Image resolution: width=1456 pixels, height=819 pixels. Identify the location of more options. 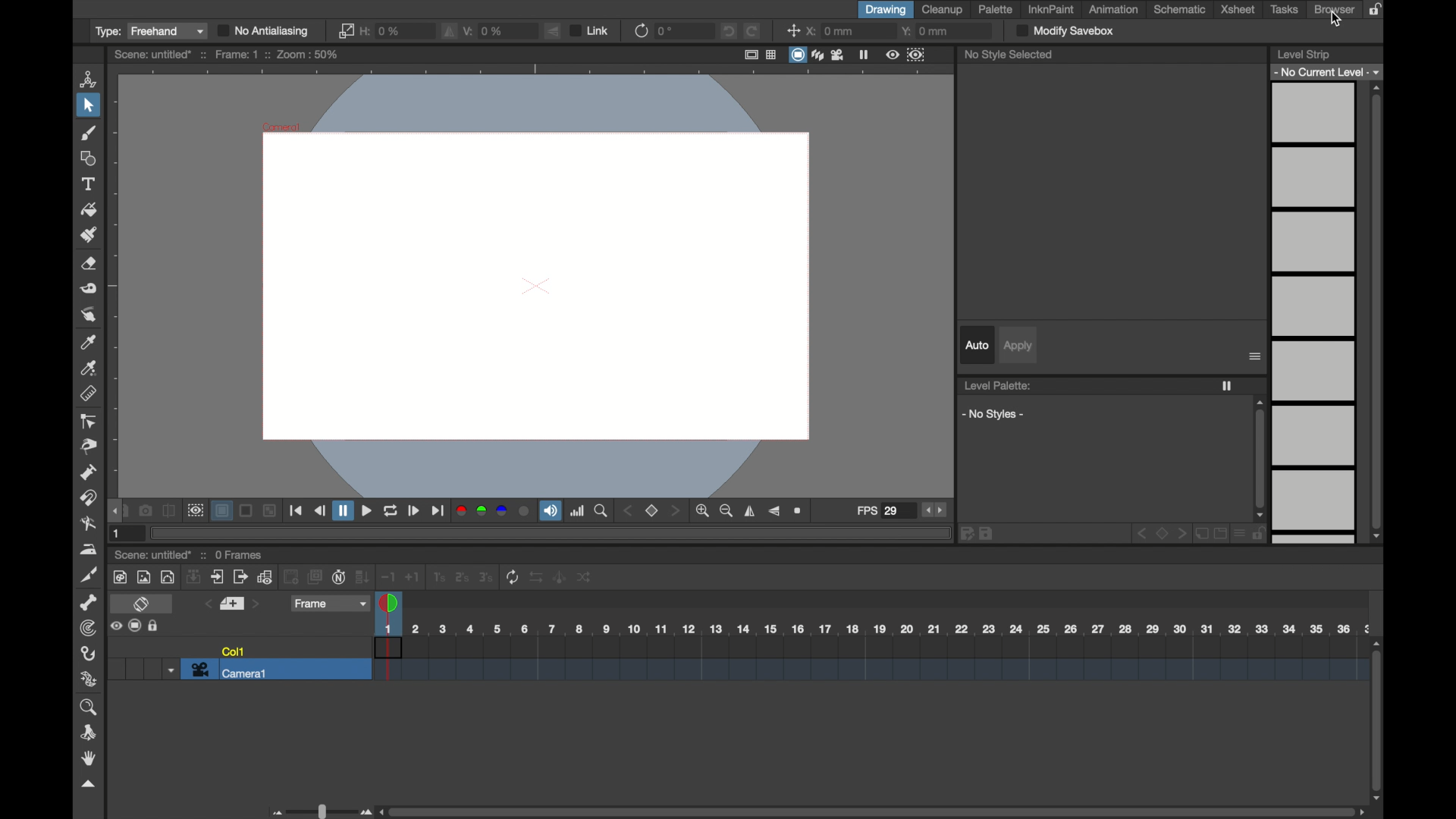
(1255, 357).